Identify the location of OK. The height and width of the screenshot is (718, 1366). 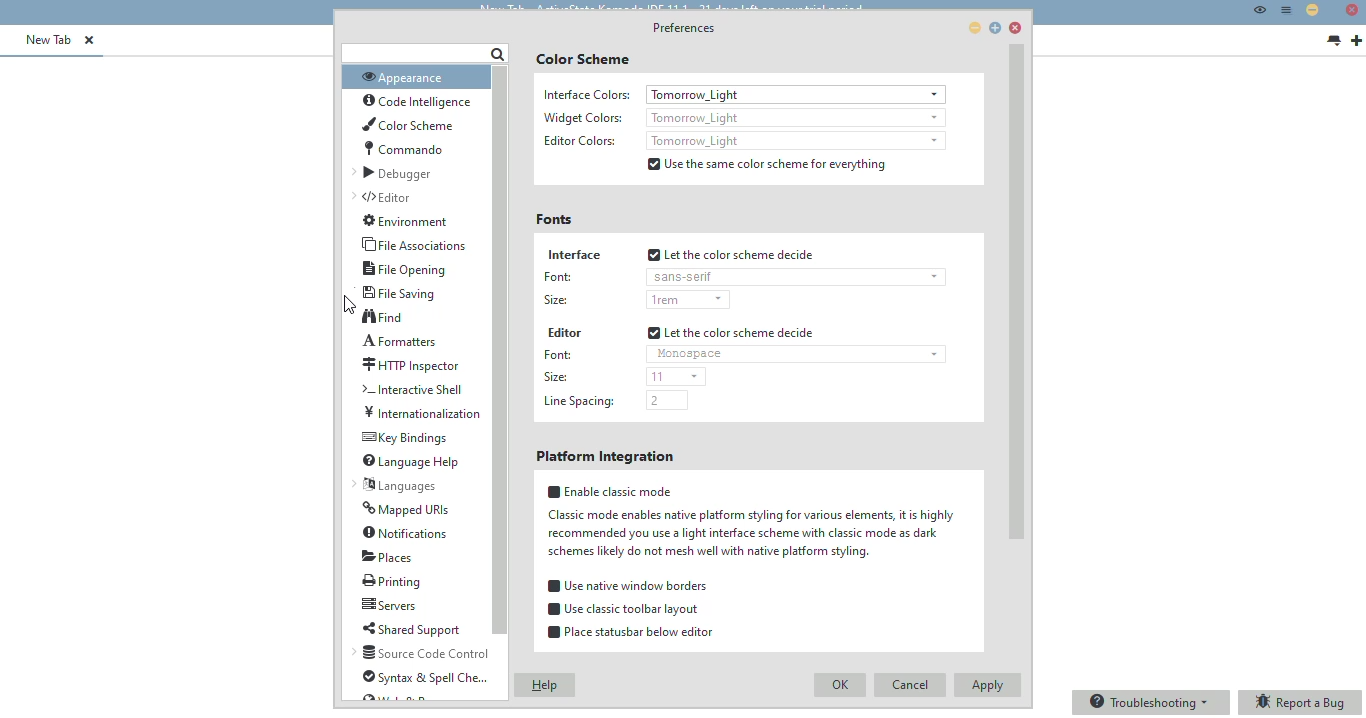
(841, 686).